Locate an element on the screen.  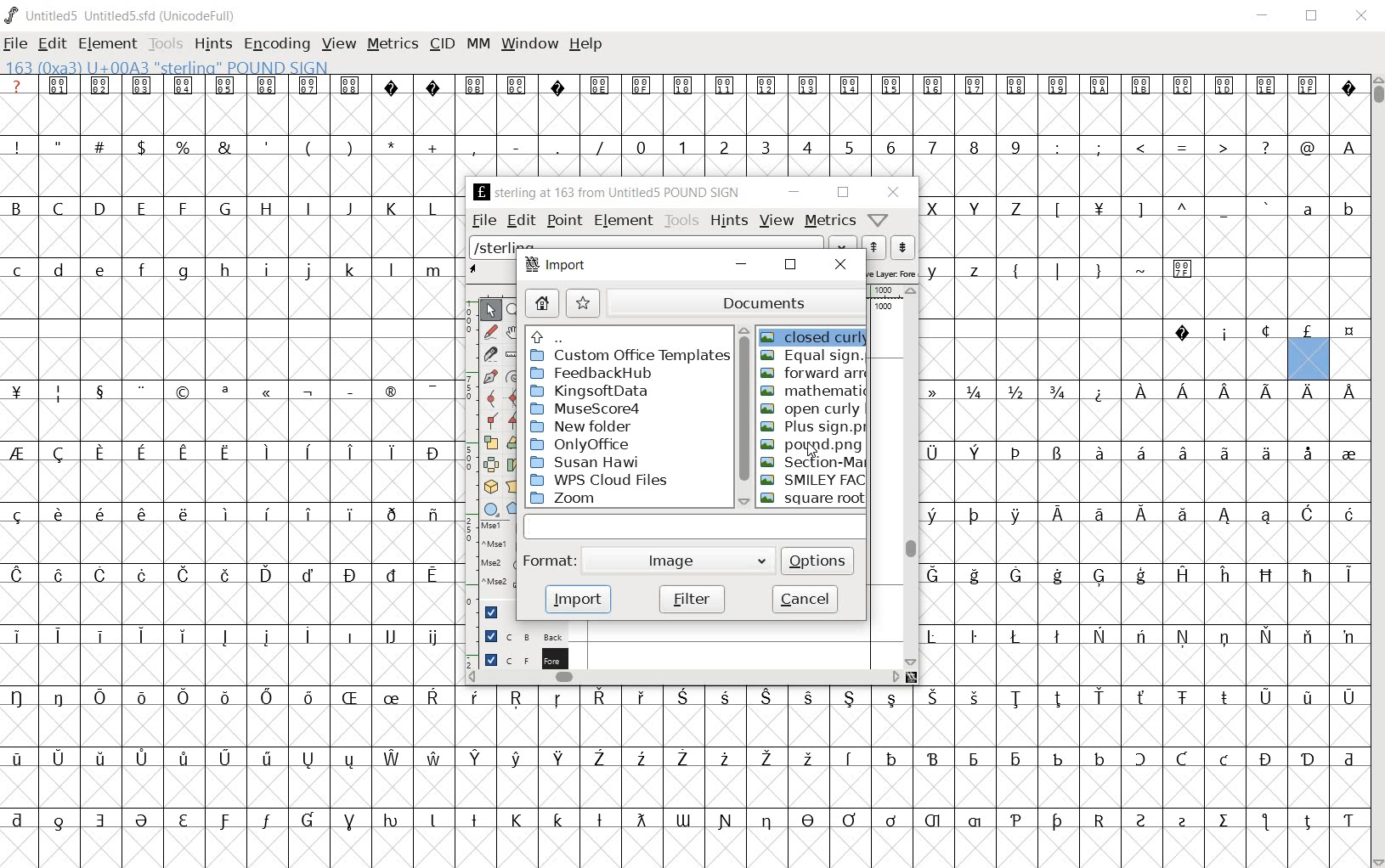
ruler is located at coordinates (513, 357).